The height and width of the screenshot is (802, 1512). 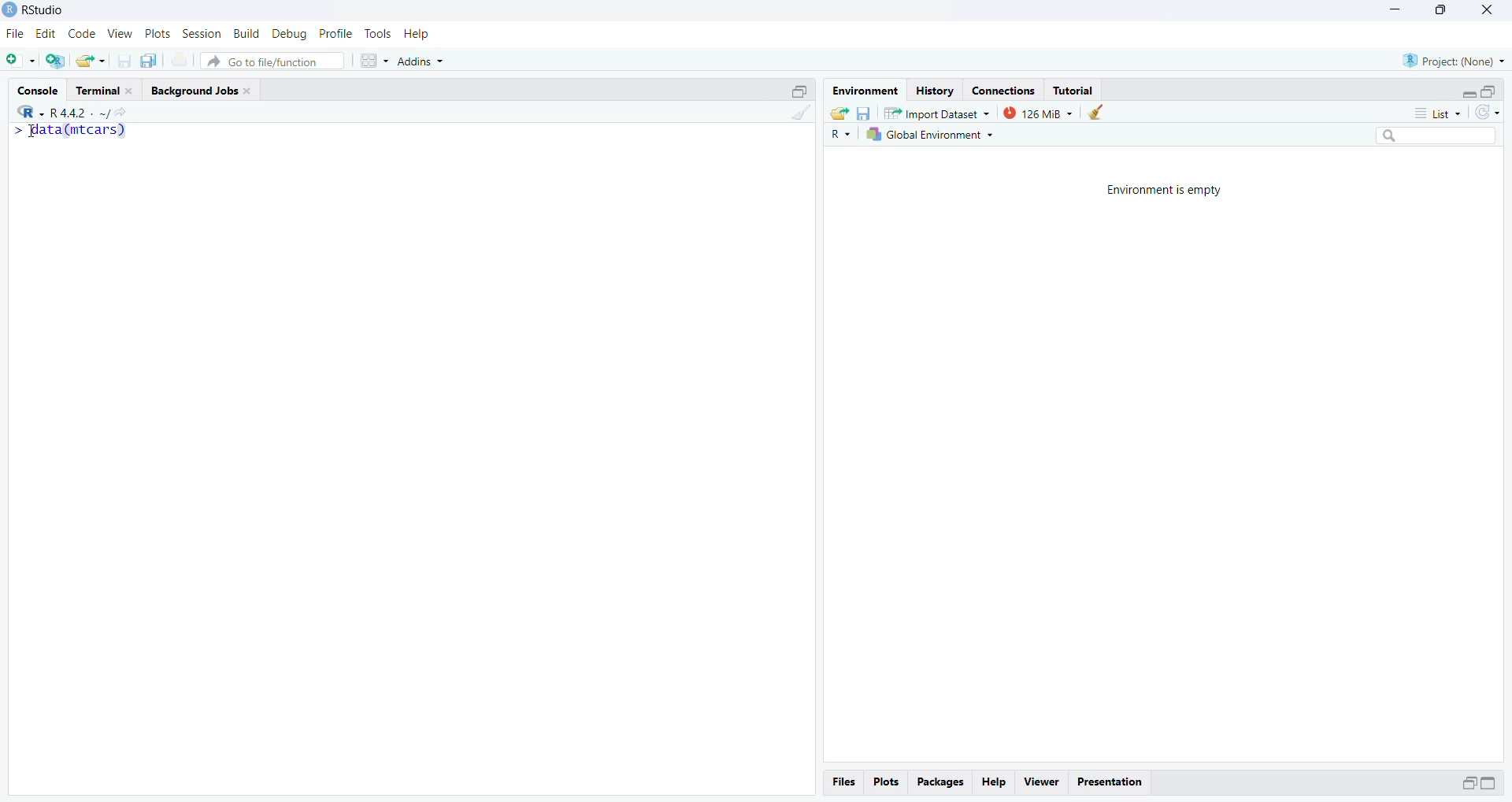 I want to click on save current document, so click(x=124, y=60).